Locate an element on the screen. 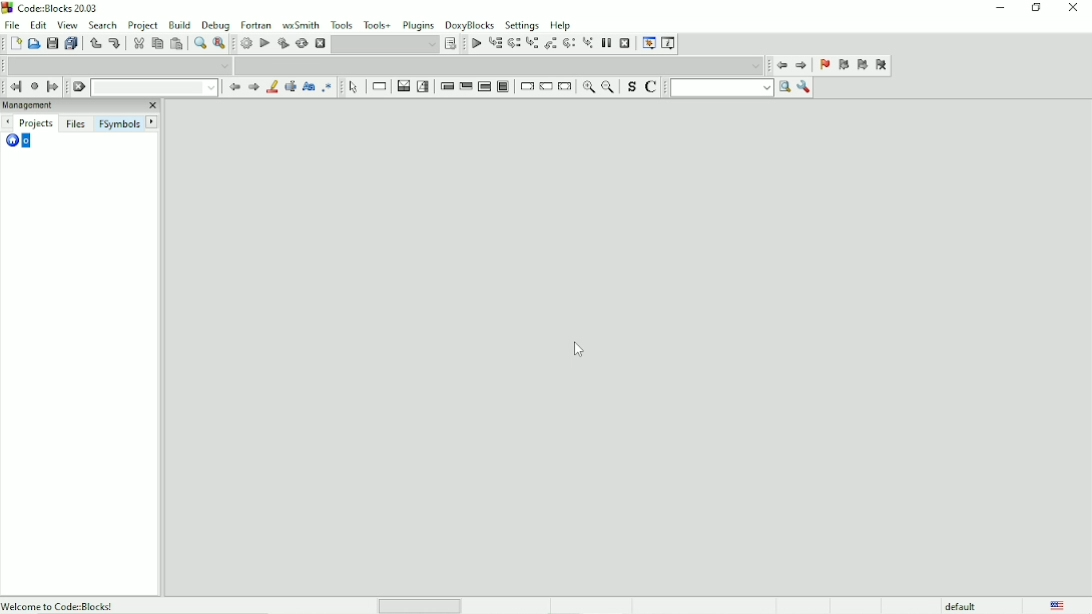 The height and width of the screenshot is (614, 1092). Copy is located at coordinates (156, 44).